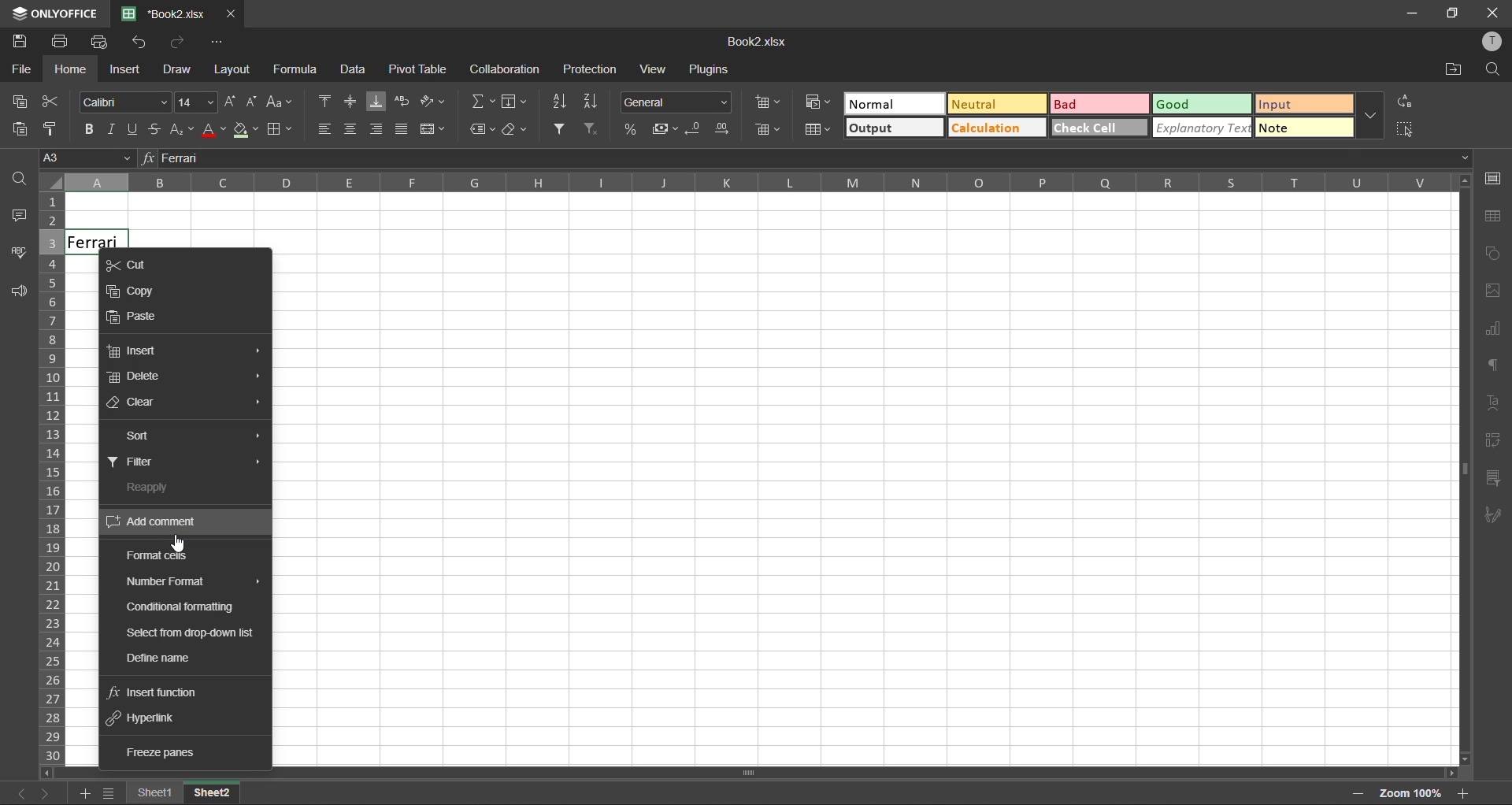 This screenshot has height=805, width=1512. I want to click on text, so click(1498, 404).